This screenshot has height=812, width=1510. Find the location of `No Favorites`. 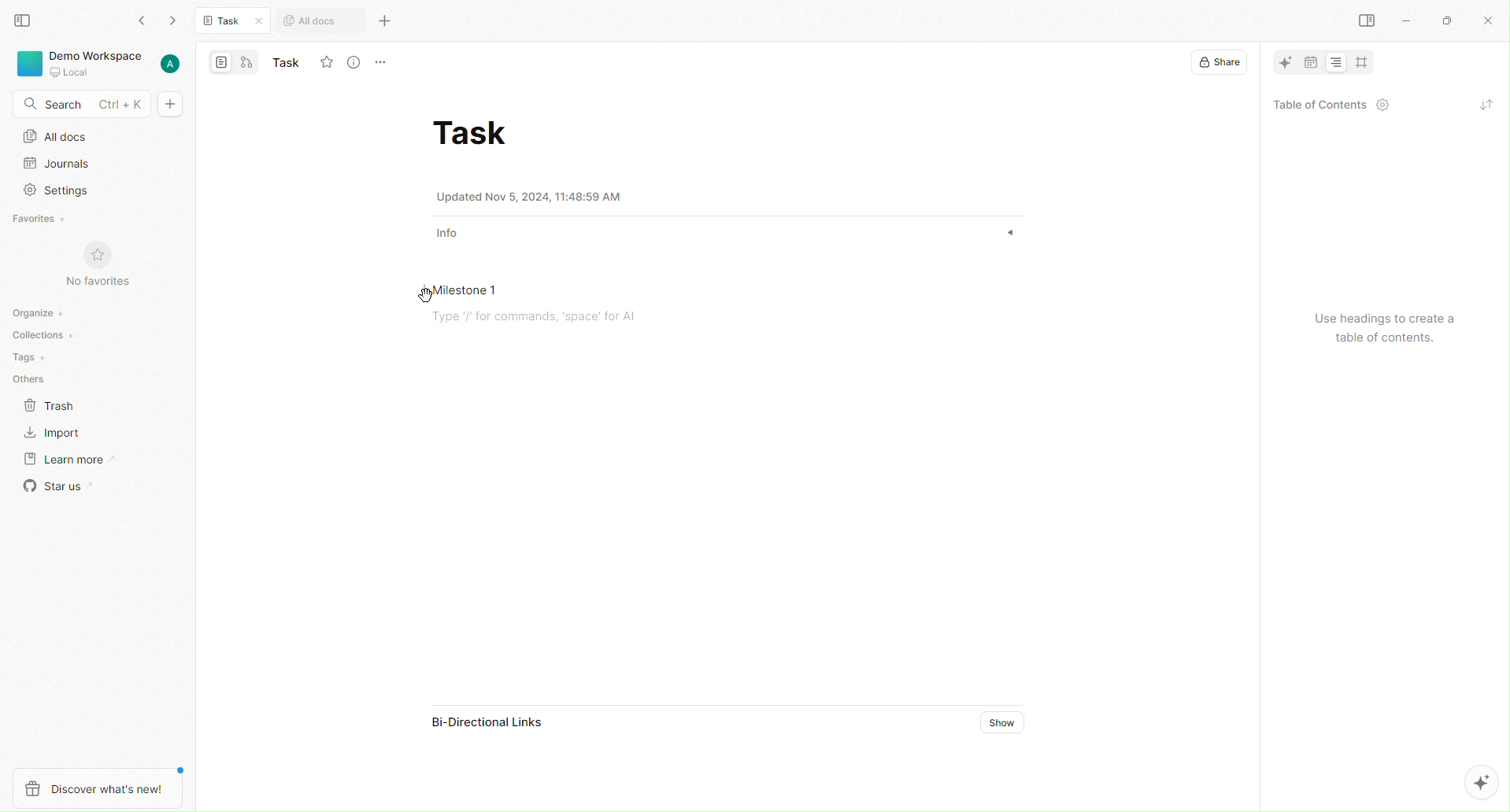

No Favorites is located at coordinates (91, 267).